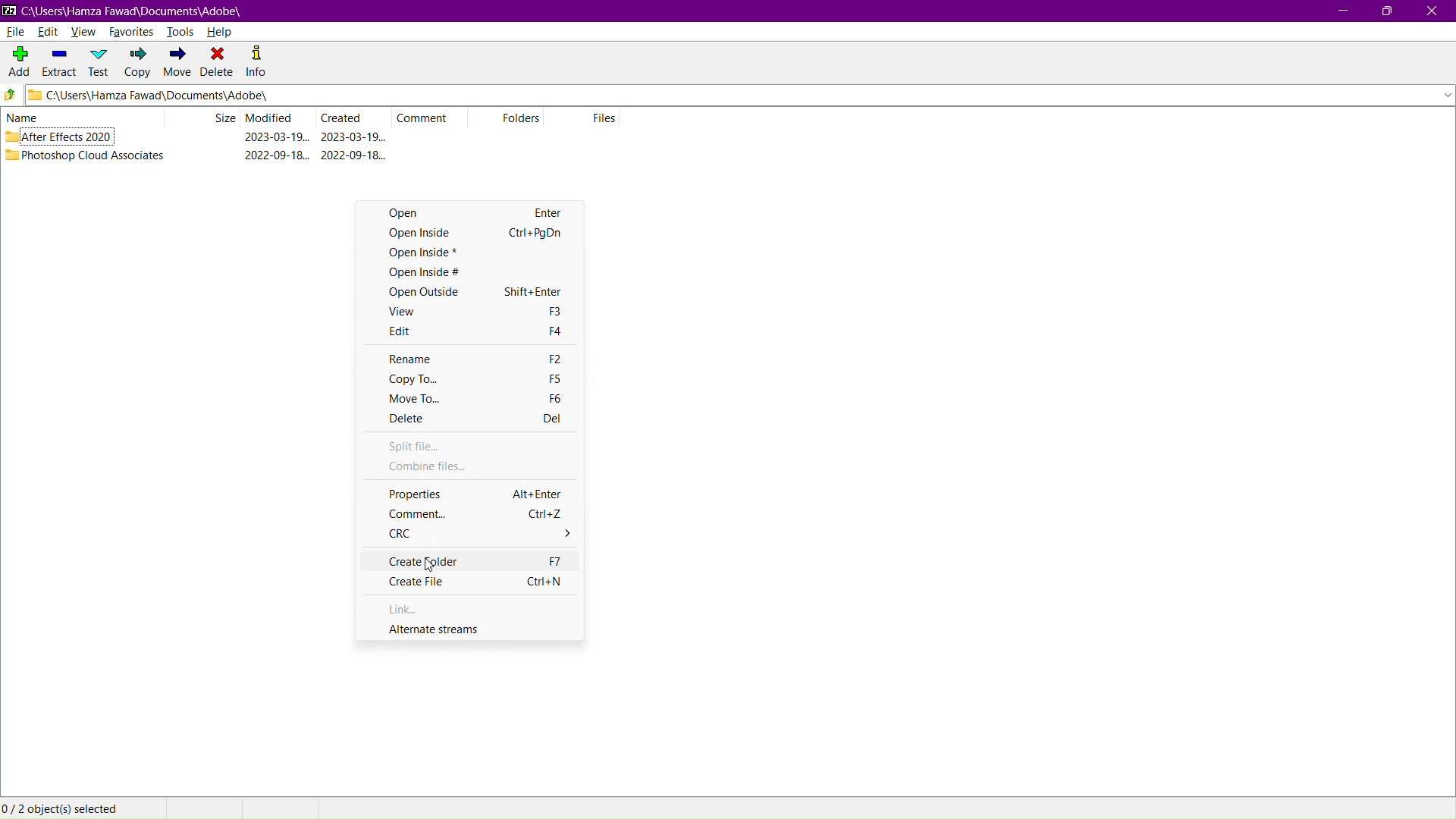 This screenshot has height=819, width=1456. Describe the element at coordinates (277, 118) in the screenshot. I see `Modified` at that location.